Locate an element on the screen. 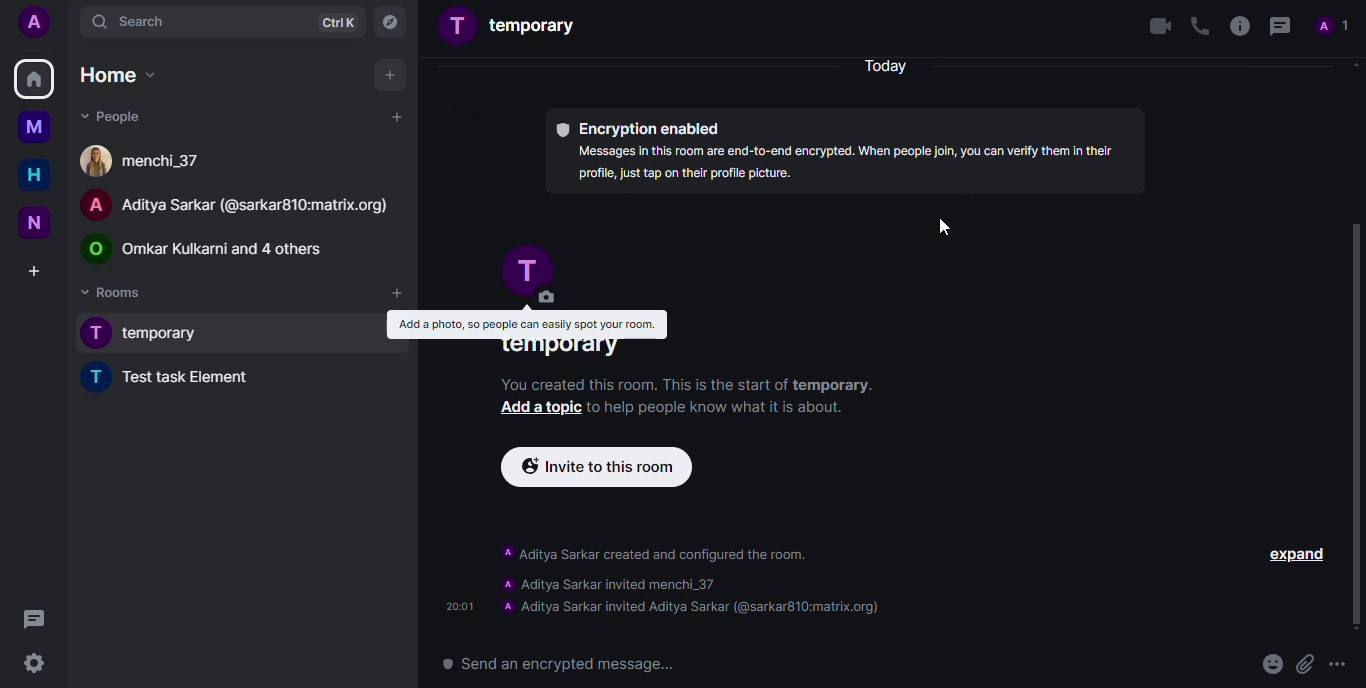 Image resolution: width=1366 pixels, height=688 pixels. emoji is located at coordinates (1265, 663).